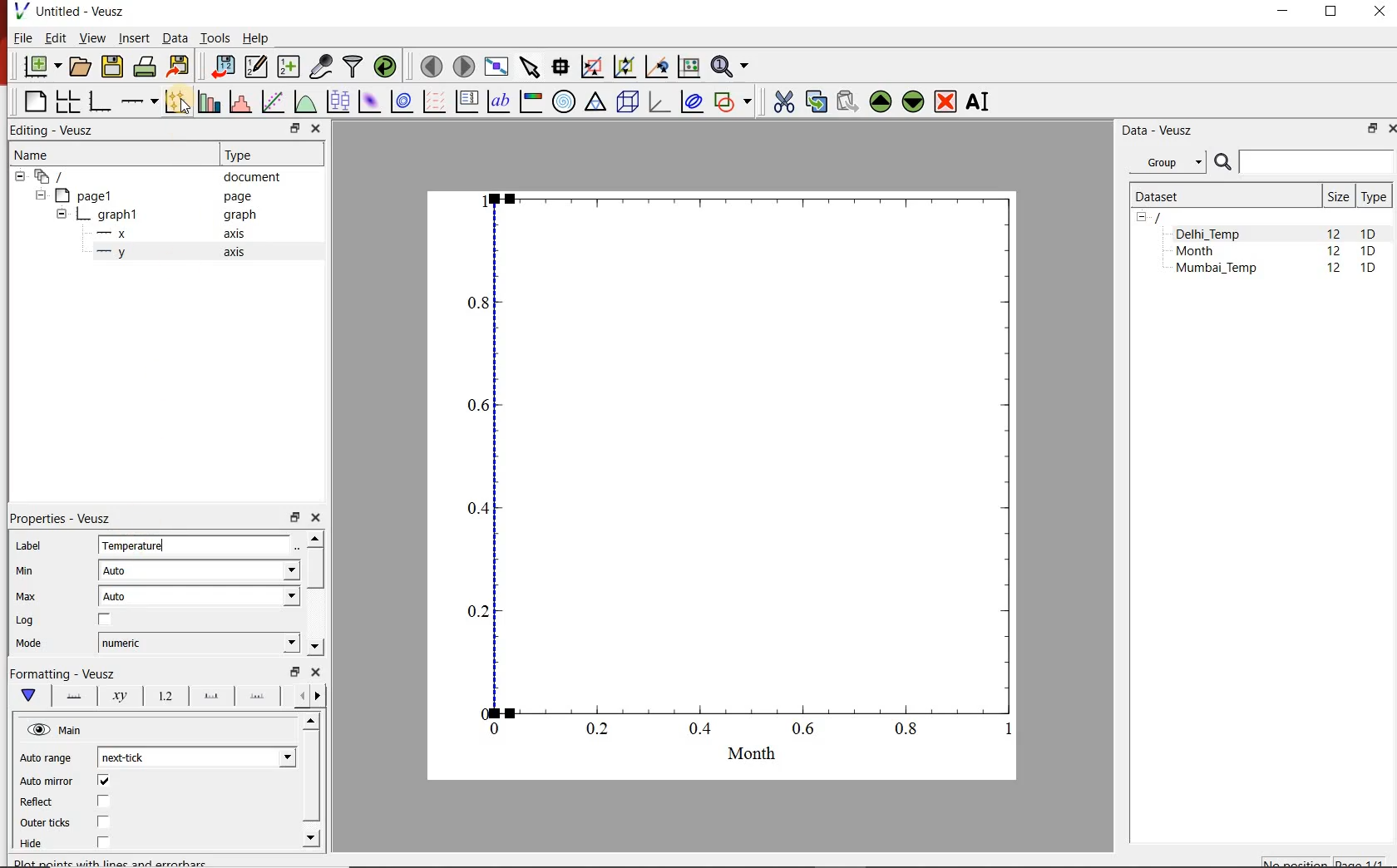 The image size is (1397, 868). Describe the element at coordinates (1216, 269) in the screenshot. I see `Mumbai_Temp` at that location.